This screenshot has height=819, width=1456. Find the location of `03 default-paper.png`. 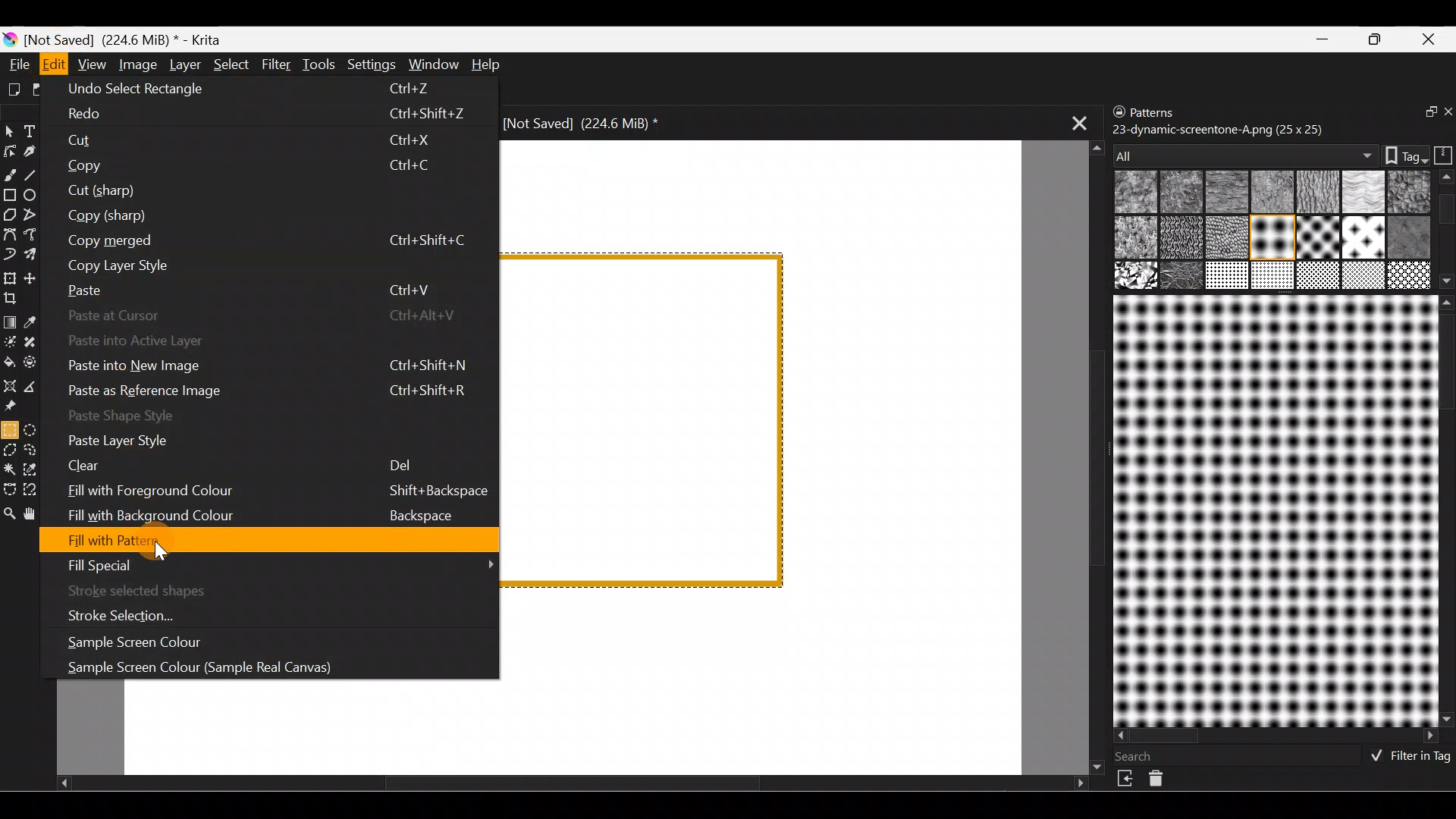

03 default-paper.png is located at coordinates (1269, 193).